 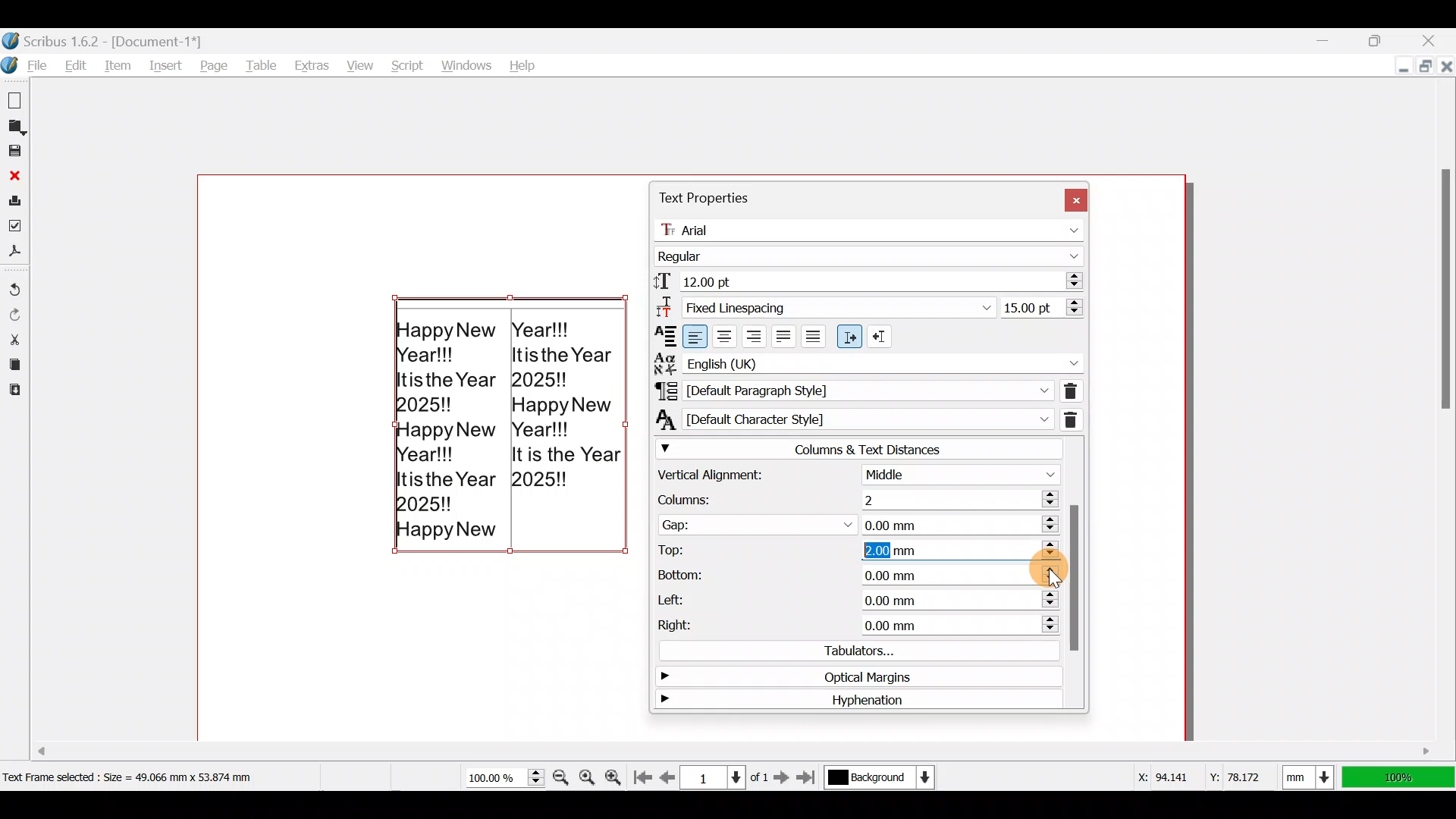 I want to click on Paragraph style of currently selected text/paragraph, so click(x=850, y=390).